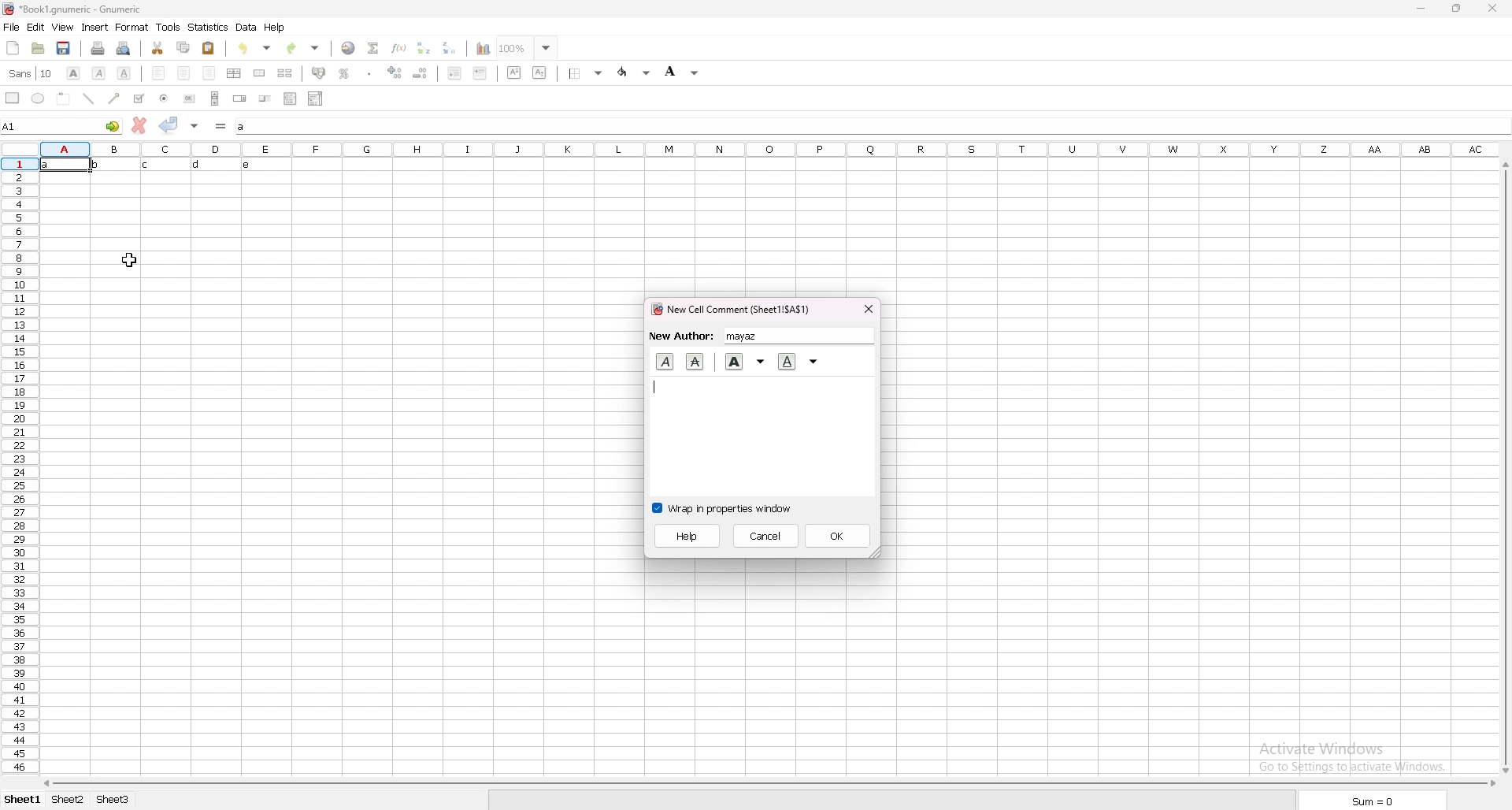 The width and height of the screenshot is (1512, 810). What do you see at coordinates (152, 165) in the screenshot?
I see `text` at bounding box center [152, 165].